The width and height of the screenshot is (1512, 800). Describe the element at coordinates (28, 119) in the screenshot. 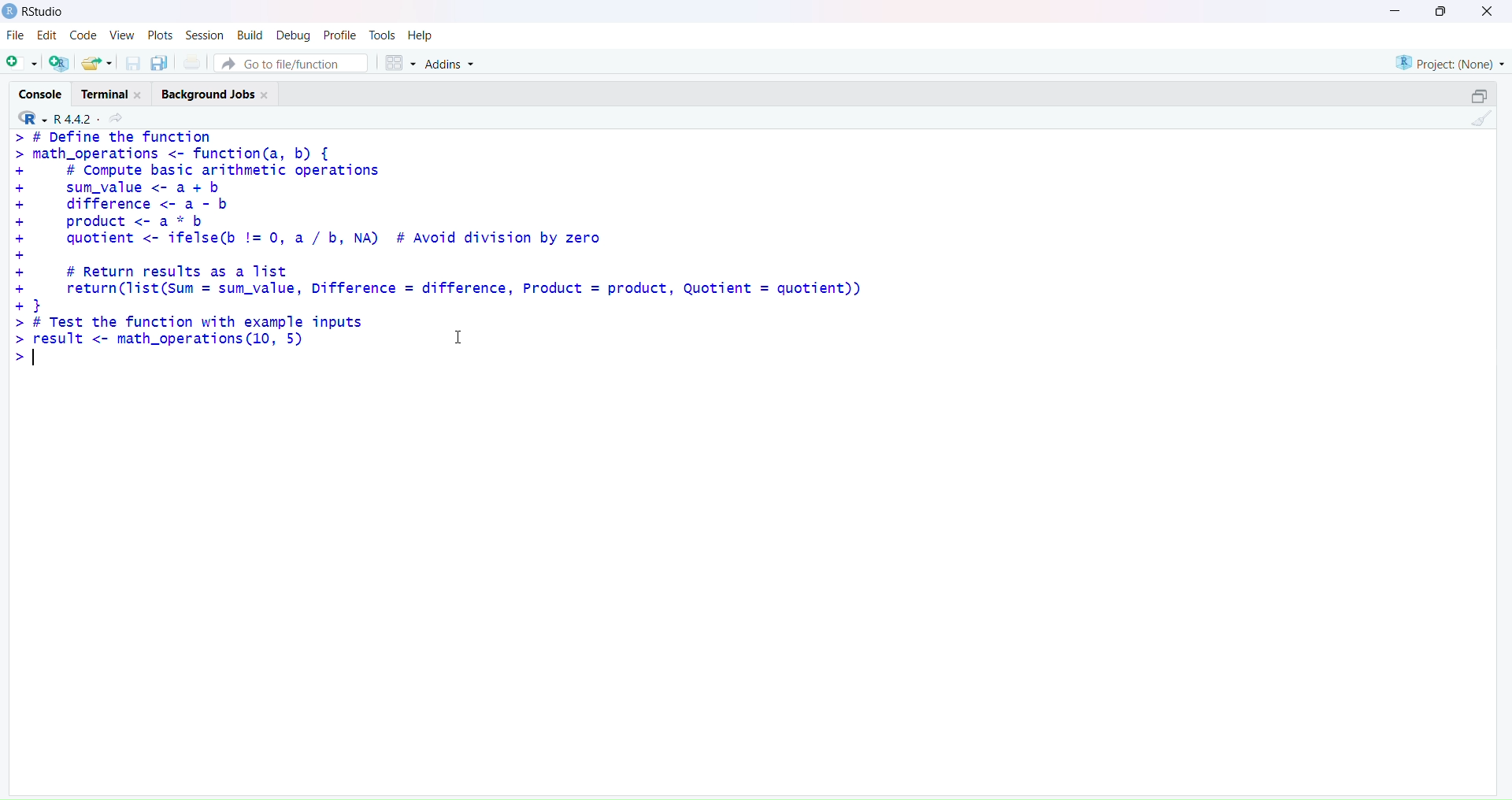

I see `R` at that location.